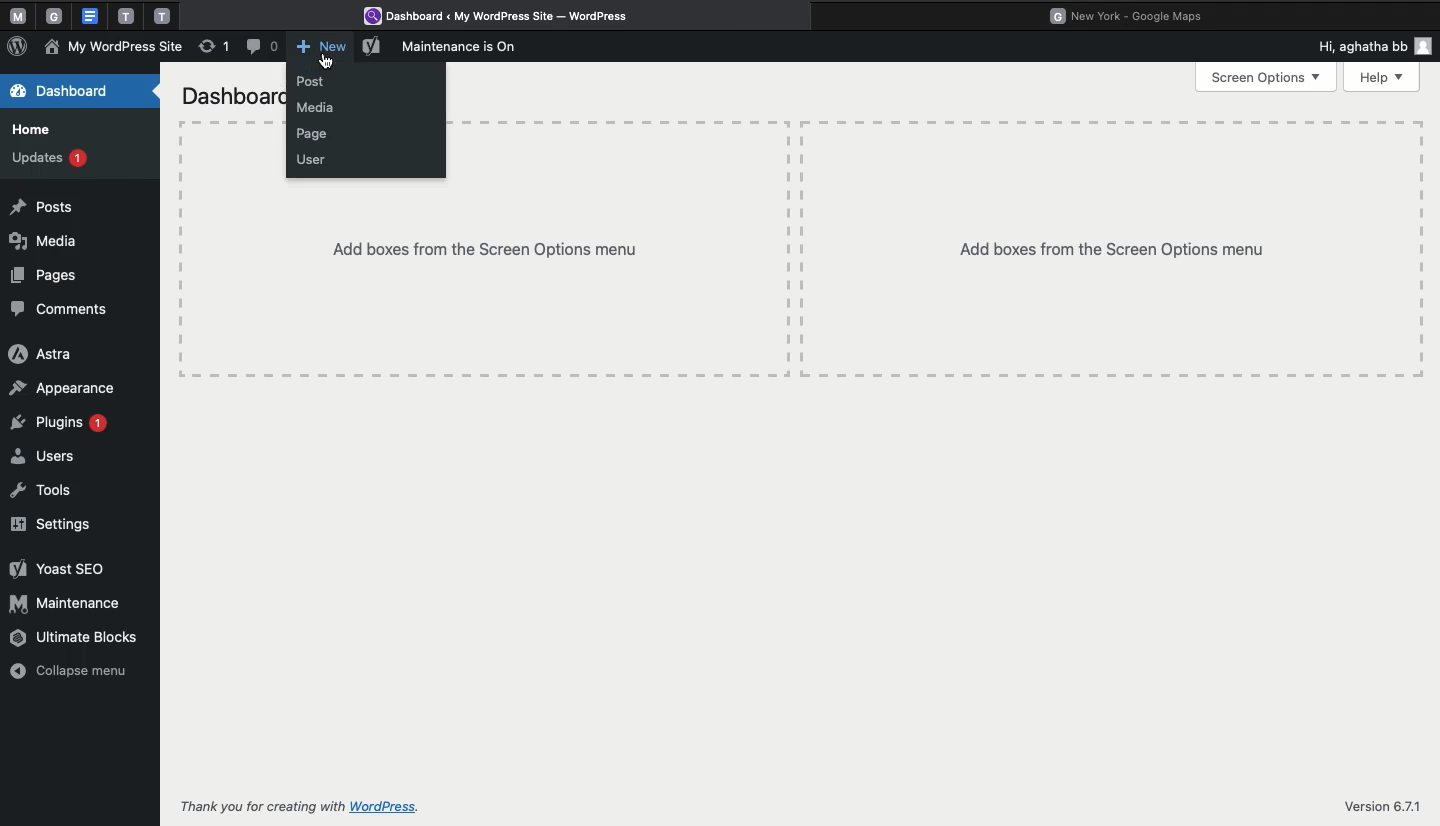 This screenshot has height=826, width=1440. I want to click on cursor, so click(327, 61).